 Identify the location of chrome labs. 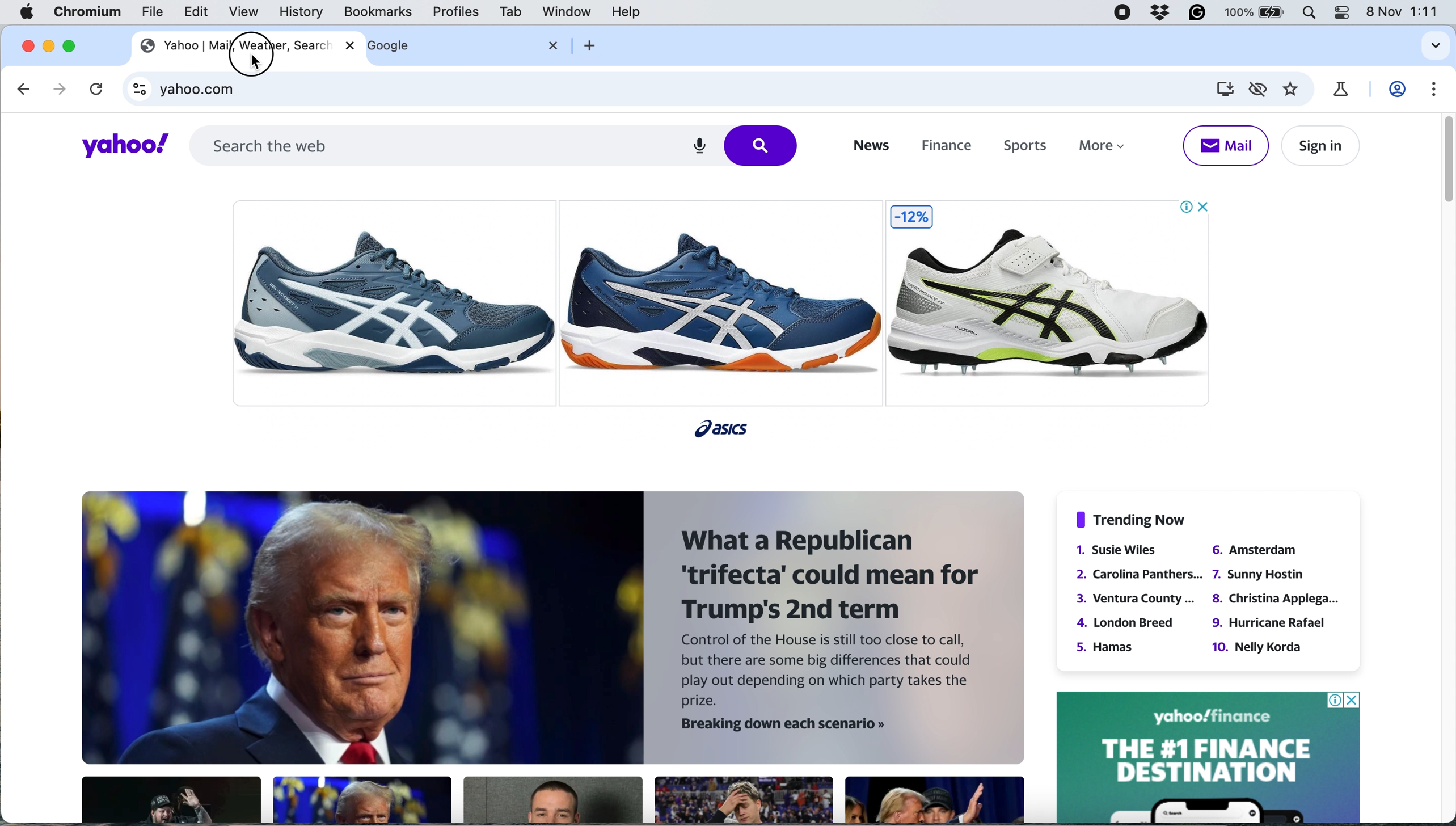
(1340, 89).